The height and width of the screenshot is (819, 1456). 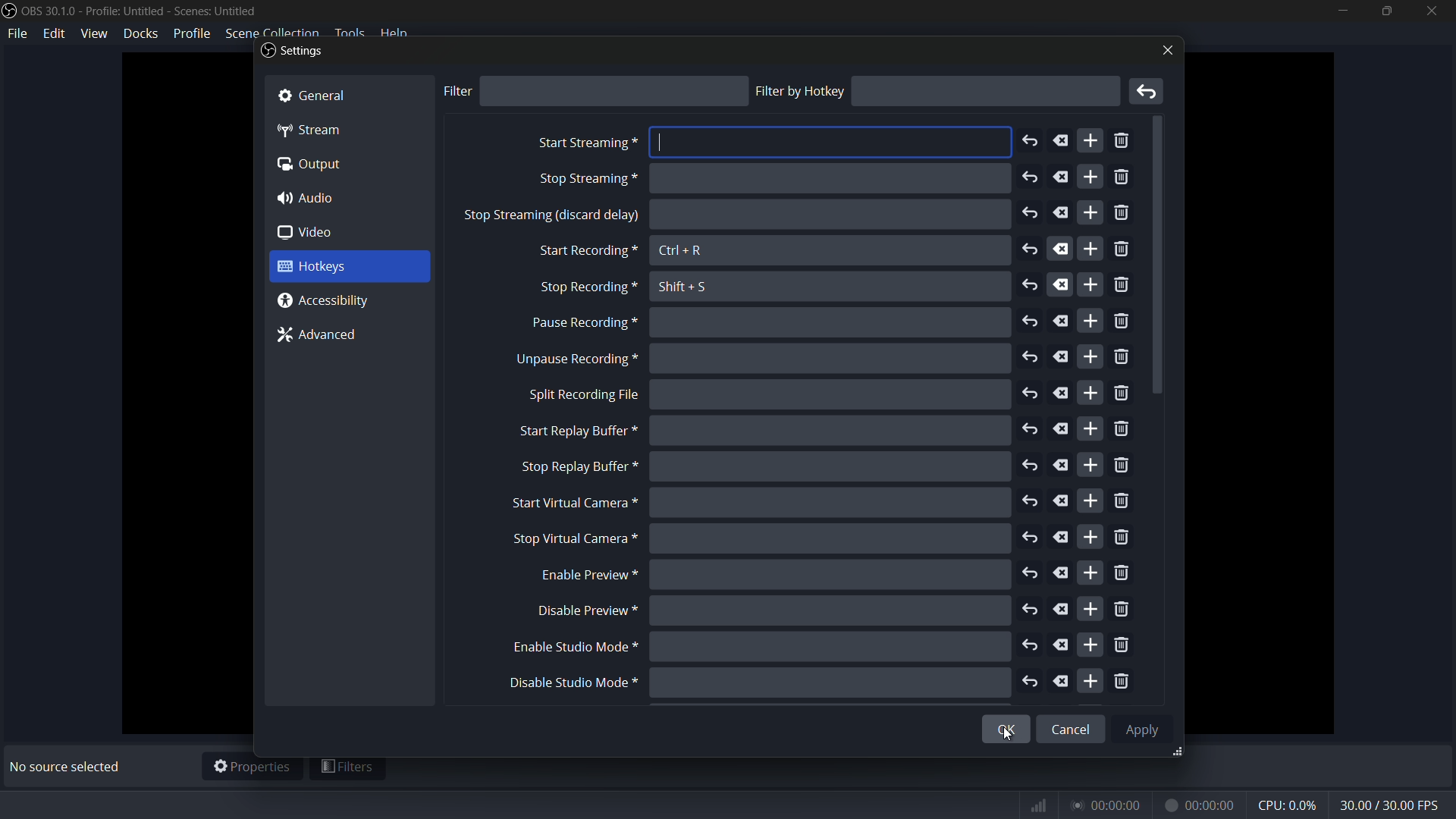 What do you see at coordinates (1123, 538) in the screenshot?
I see `remove` at bounding box center [1123, 538].